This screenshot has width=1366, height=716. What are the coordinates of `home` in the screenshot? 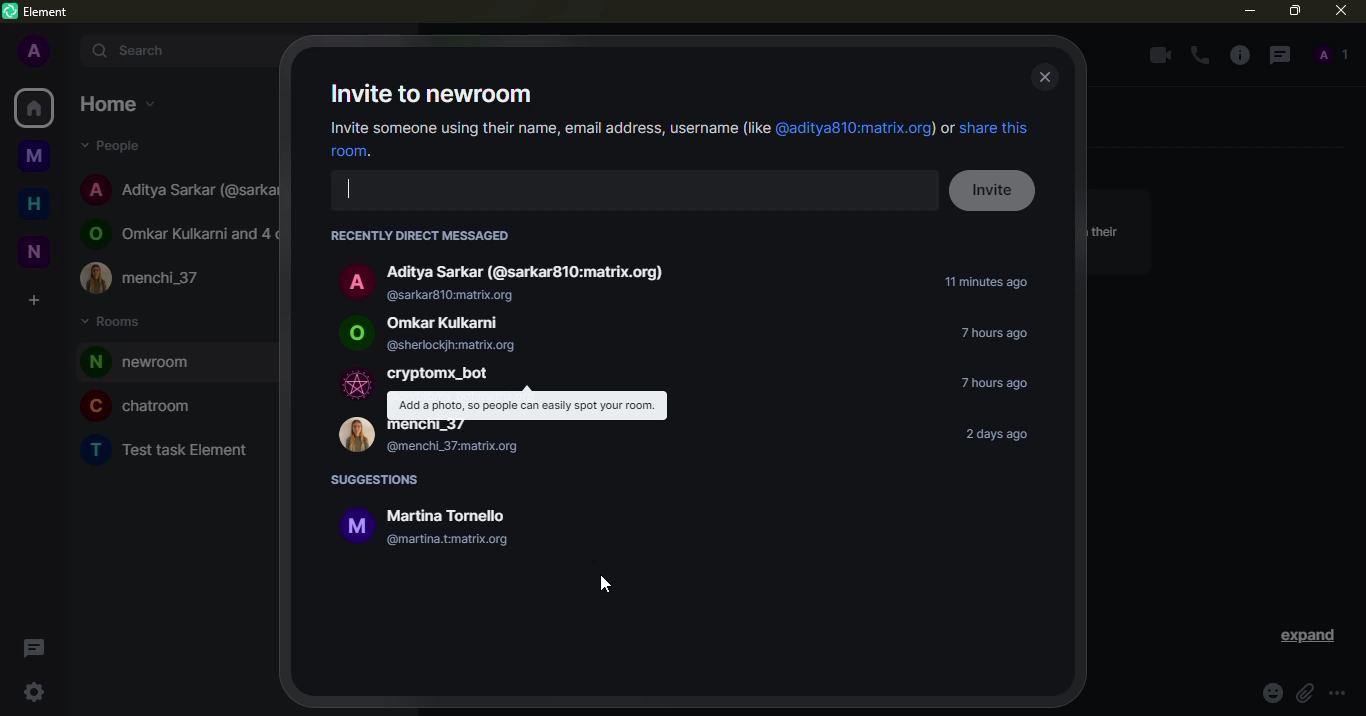 It's located at (120, 105).